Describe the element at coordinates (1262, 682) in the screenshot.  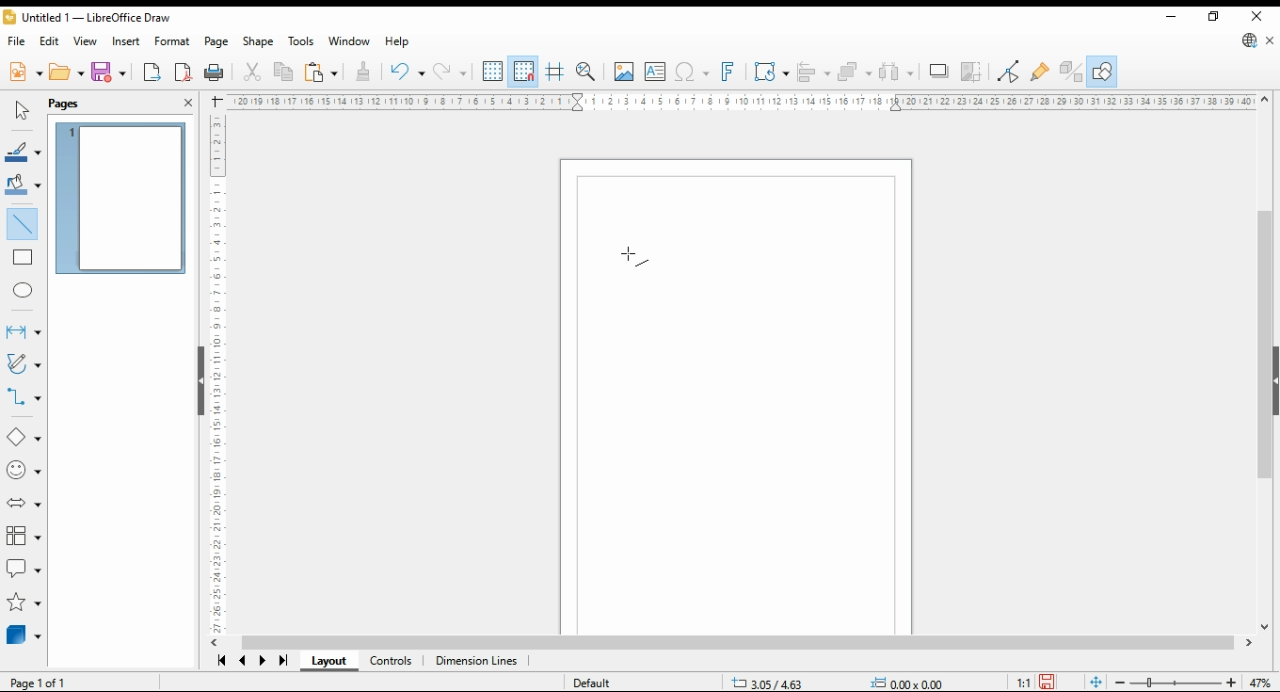
I see `zoom factor` at that location.